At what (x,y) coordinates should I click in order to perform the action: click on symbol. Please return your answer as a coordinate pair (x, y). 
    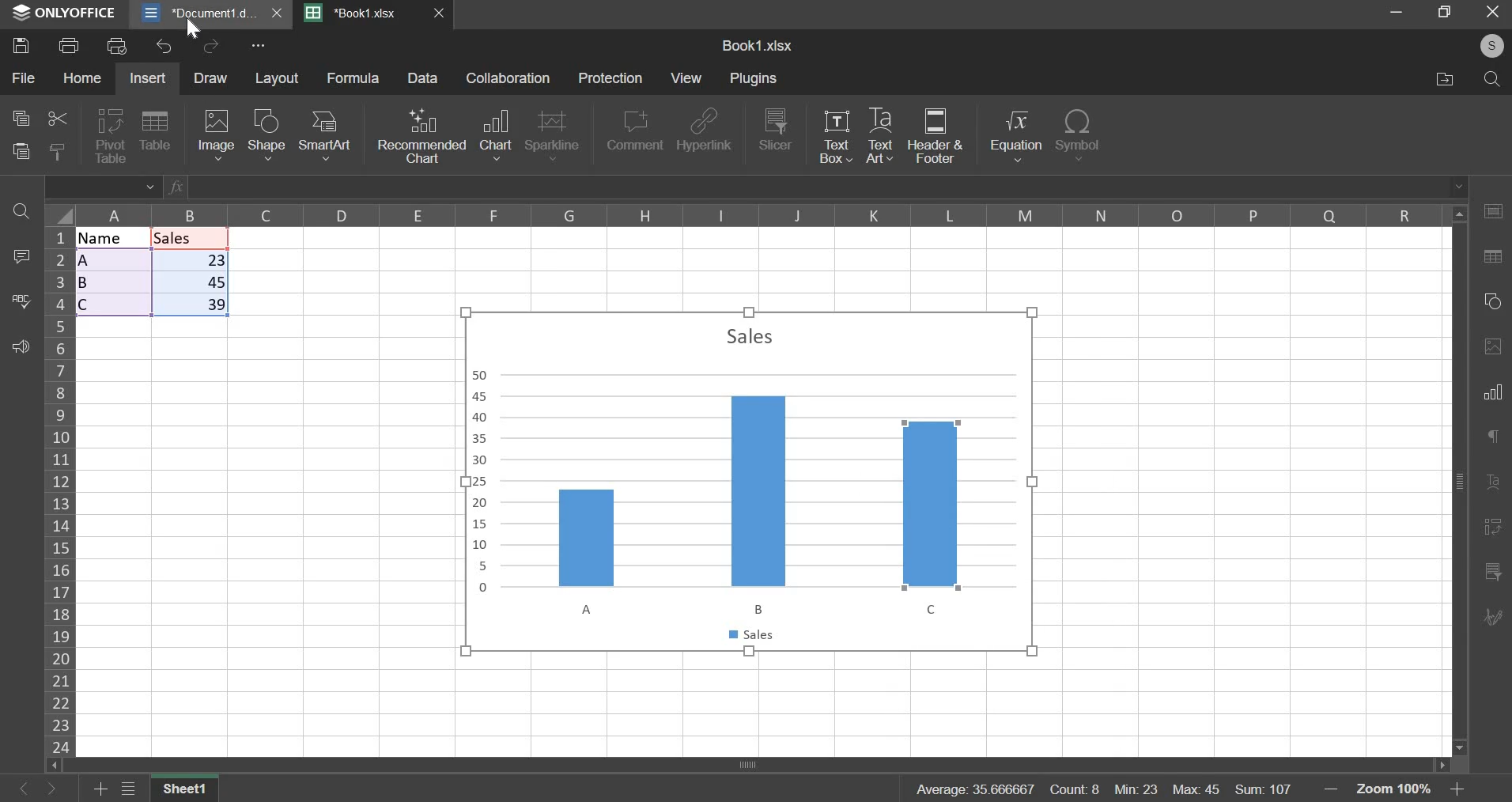
    Looking at the image, I should click on (1077, 136).